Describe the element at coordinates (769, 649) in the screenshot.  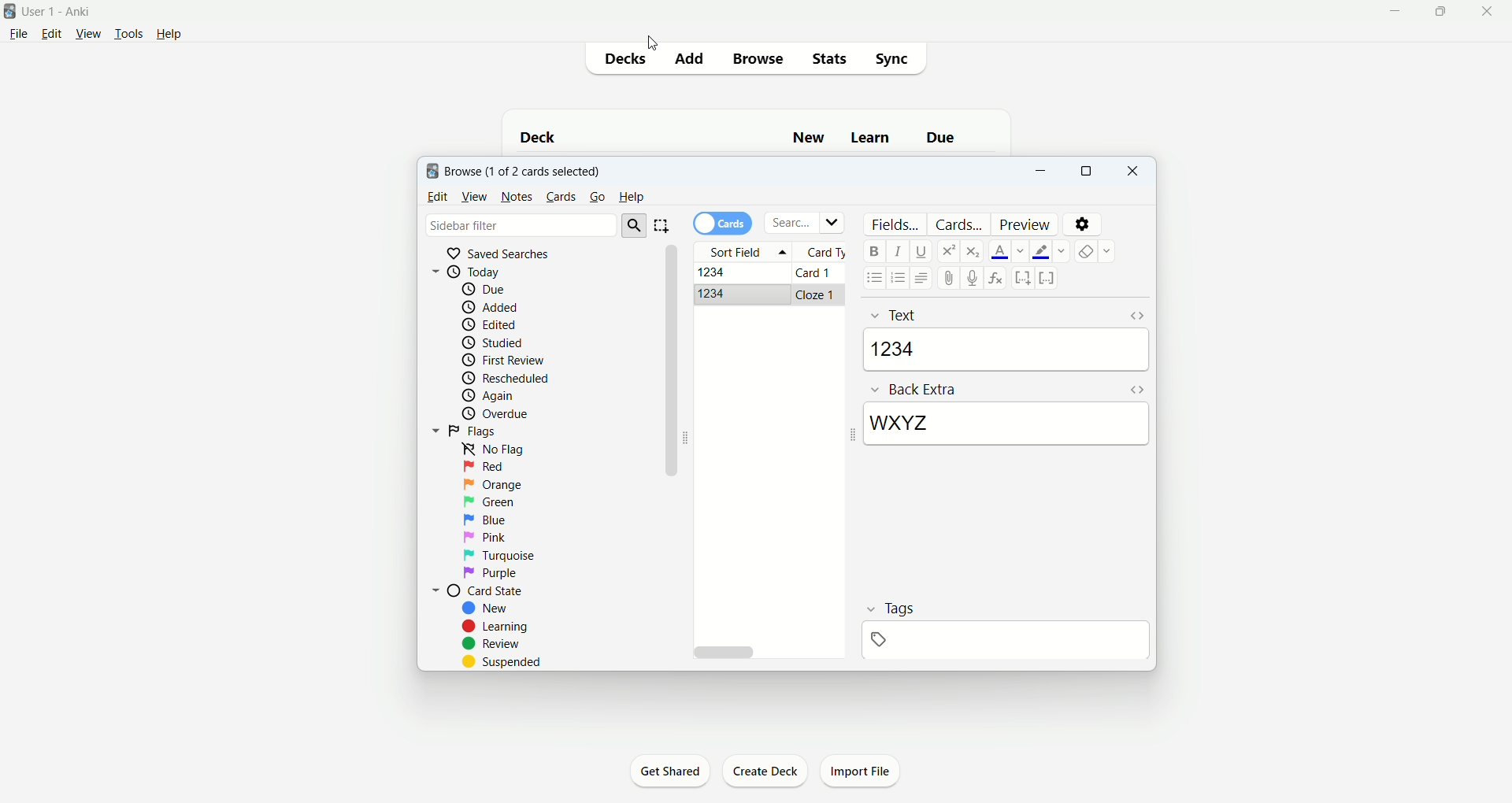
I see `horizontal scroll bar` at that location.